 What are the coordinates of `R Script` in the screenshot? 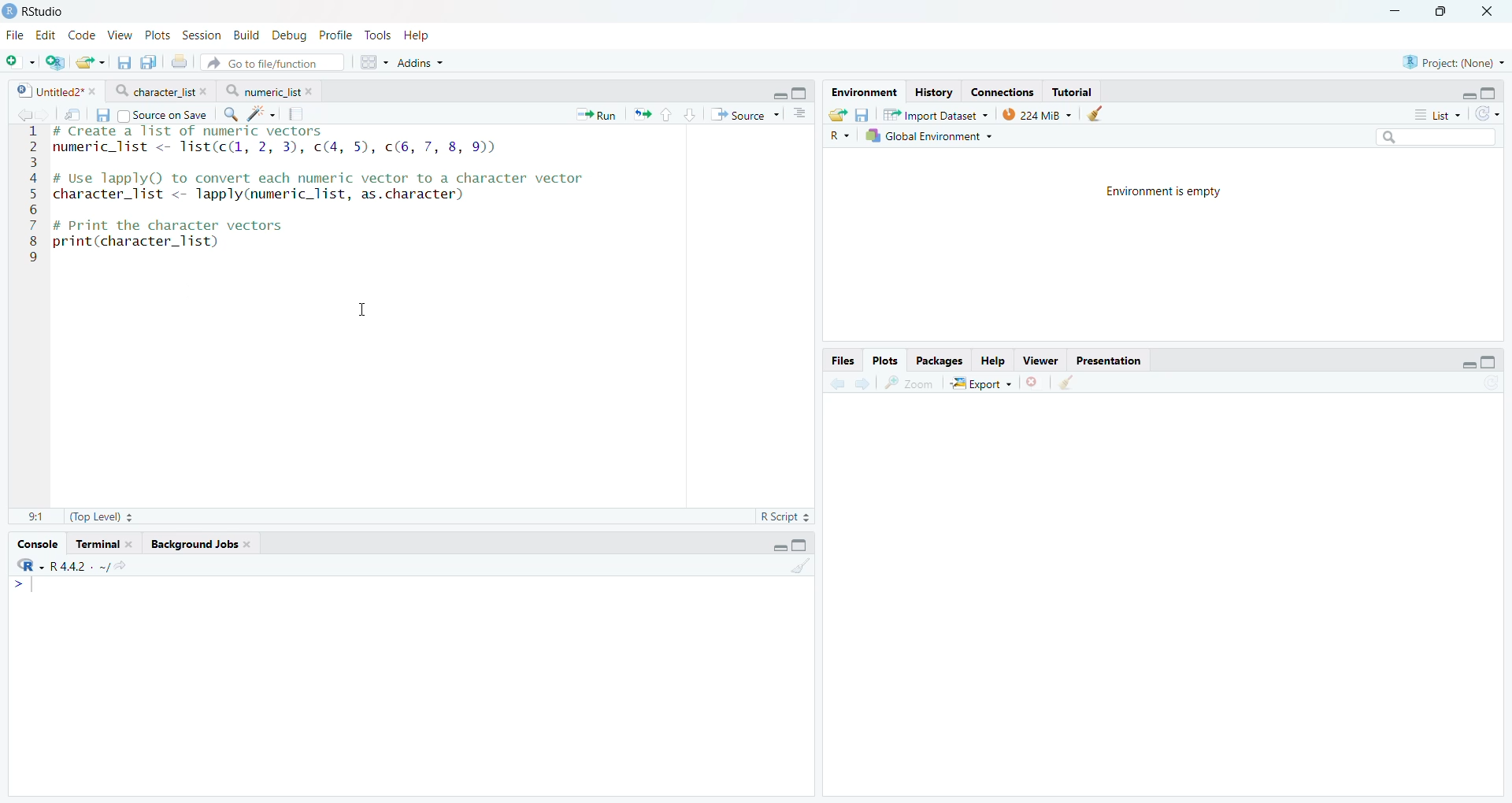 It's located at (786, 516).